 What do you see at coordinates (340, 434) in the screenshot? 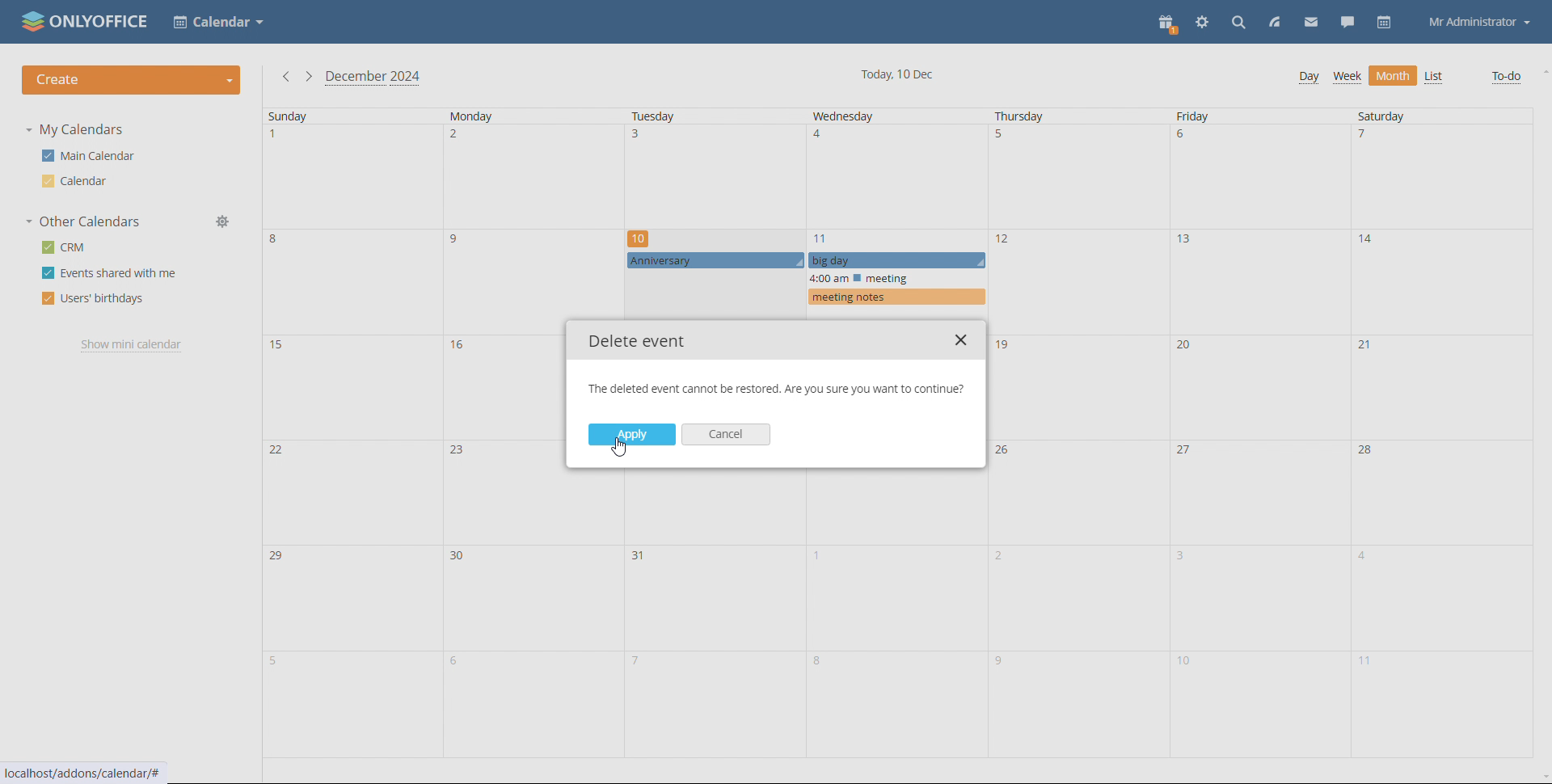
I see `sunday` at bounding box center [340, 434].